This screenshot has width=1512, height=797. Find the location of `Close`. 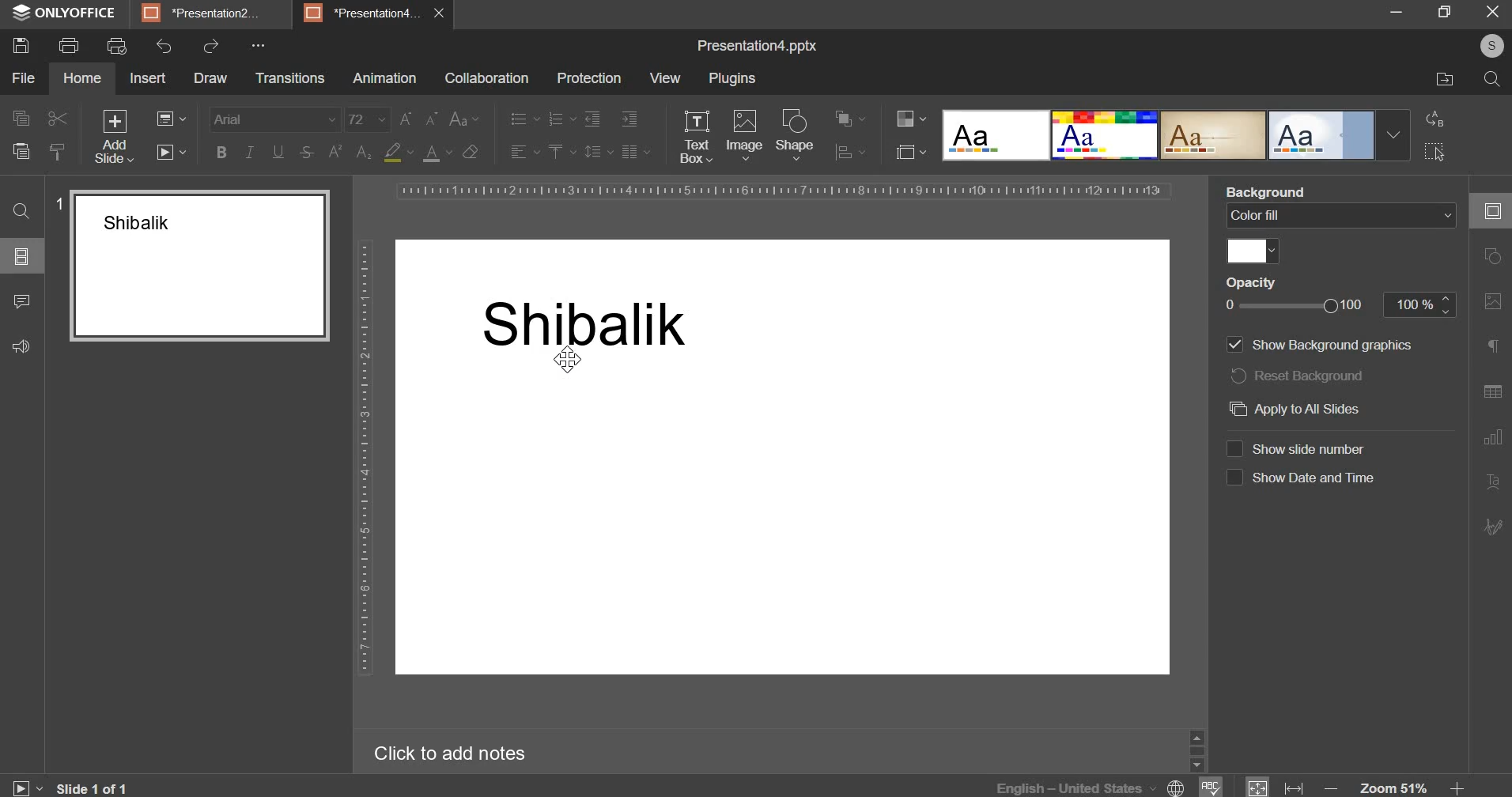

Close is located at coordinates (1494, 13).